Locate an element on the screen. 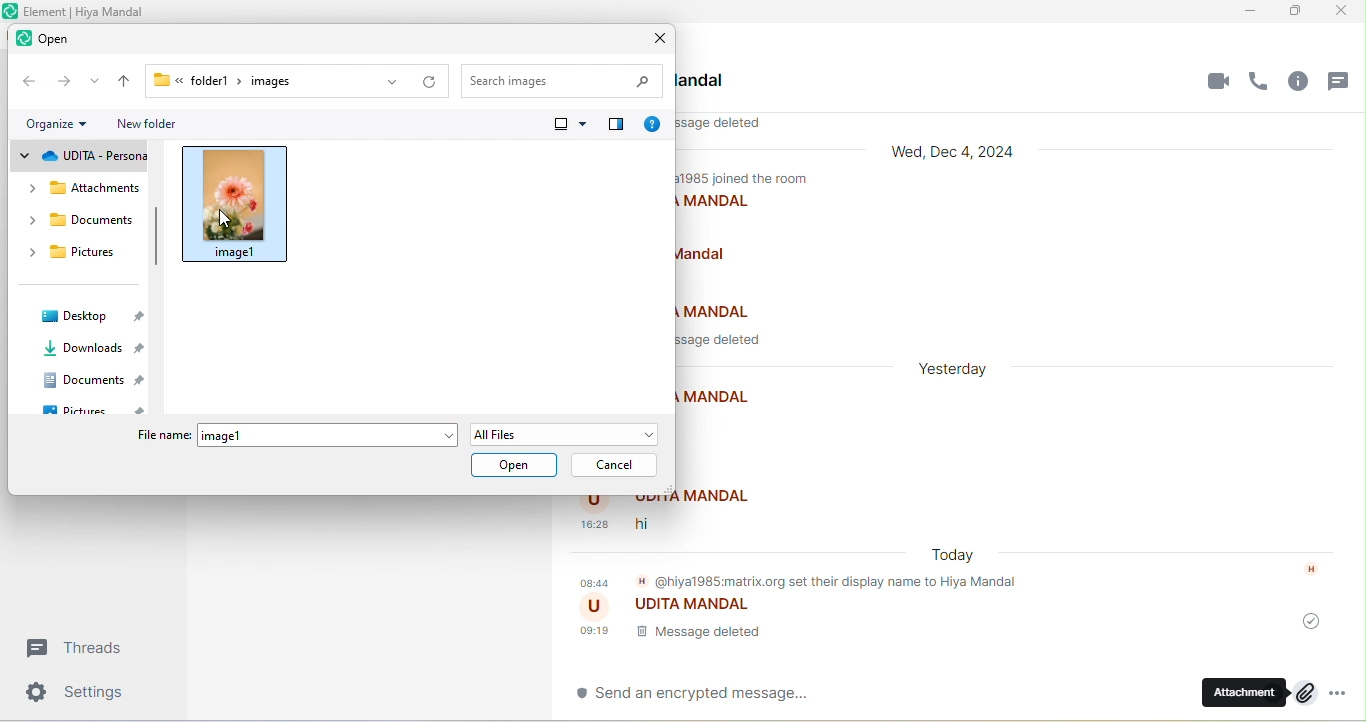  file name is located at coordinates (327, 436).